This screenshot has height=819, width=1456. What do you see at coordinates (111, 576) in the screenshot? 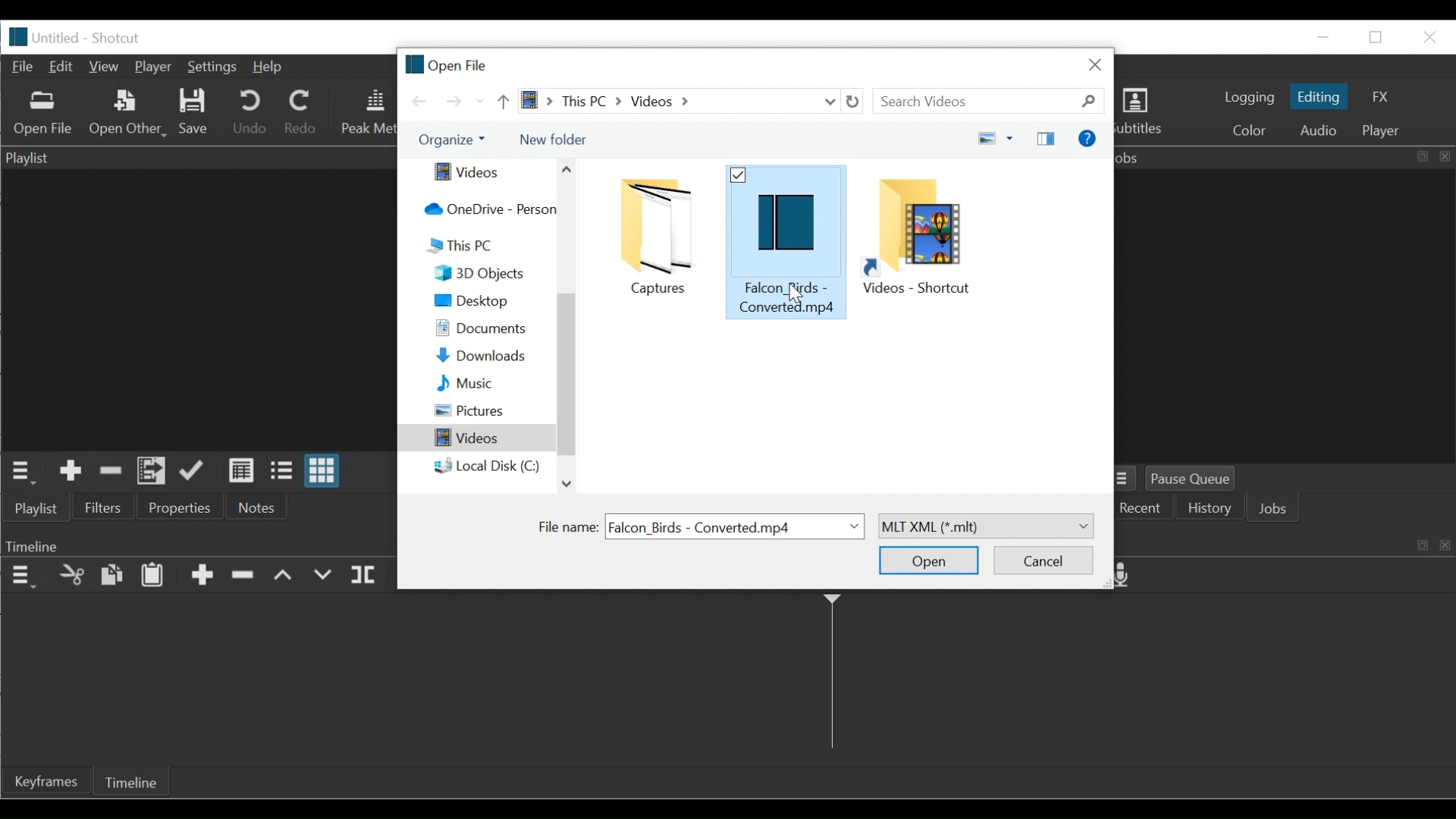
I see `Copy` at bounding box center [111, 576].